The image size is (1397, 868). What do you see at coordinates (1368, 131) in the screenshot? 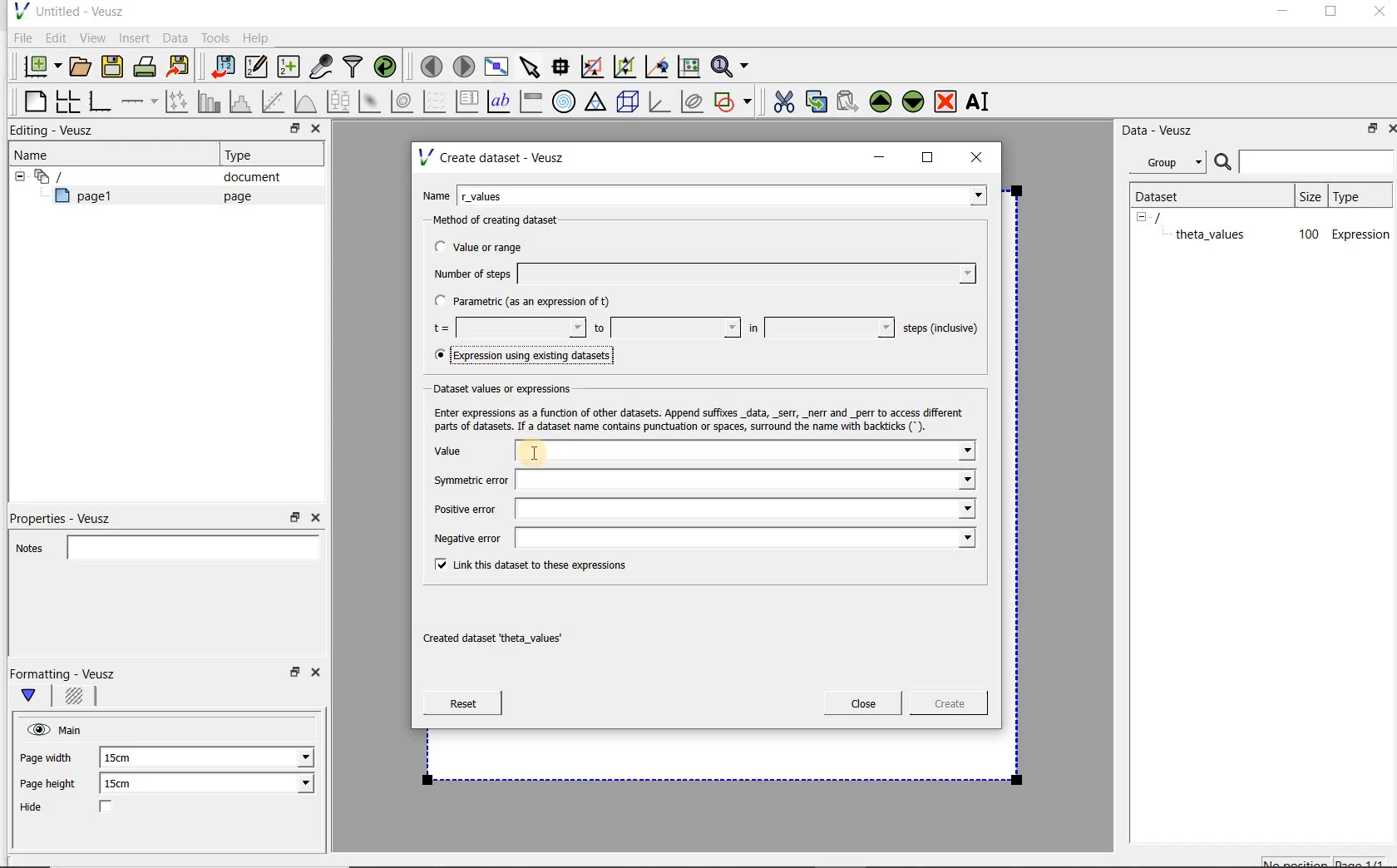
I see `restore down` at bounding box center [1368, 131].